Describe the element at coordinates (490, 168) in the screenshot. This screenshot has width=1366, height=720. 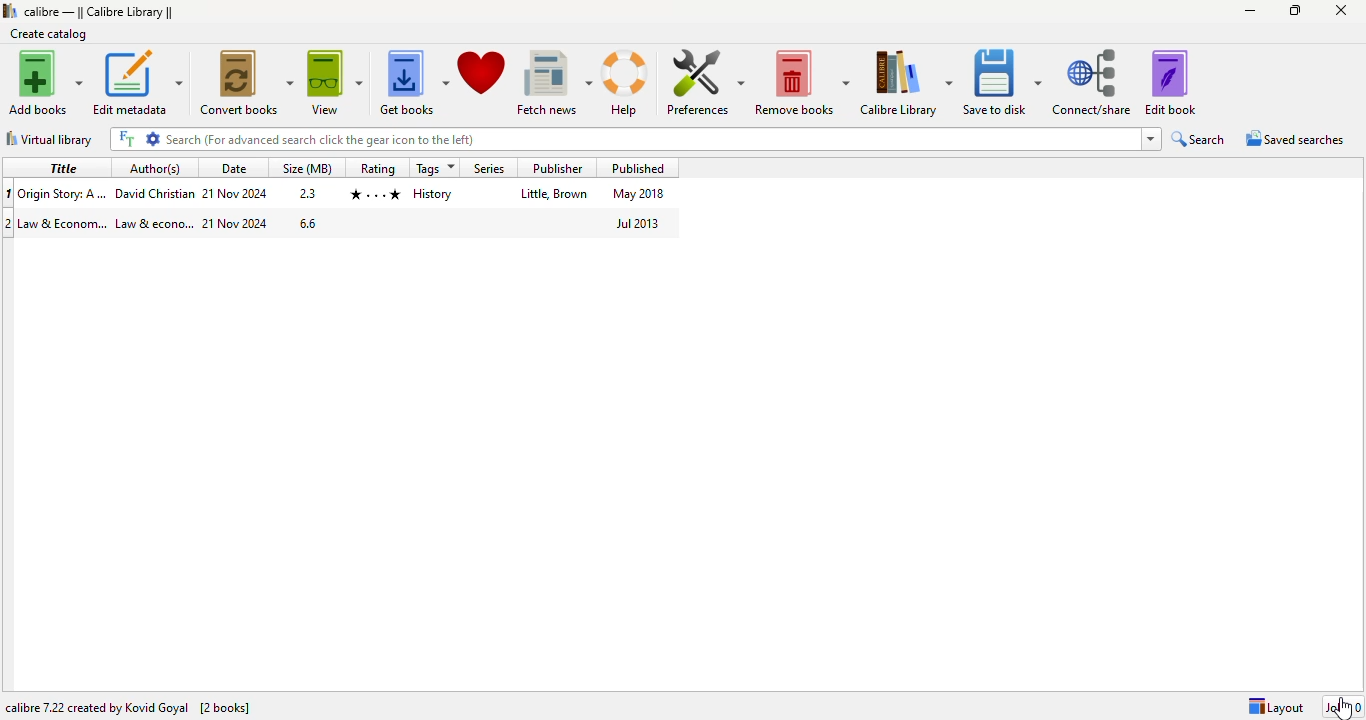
I see `series` at that location.